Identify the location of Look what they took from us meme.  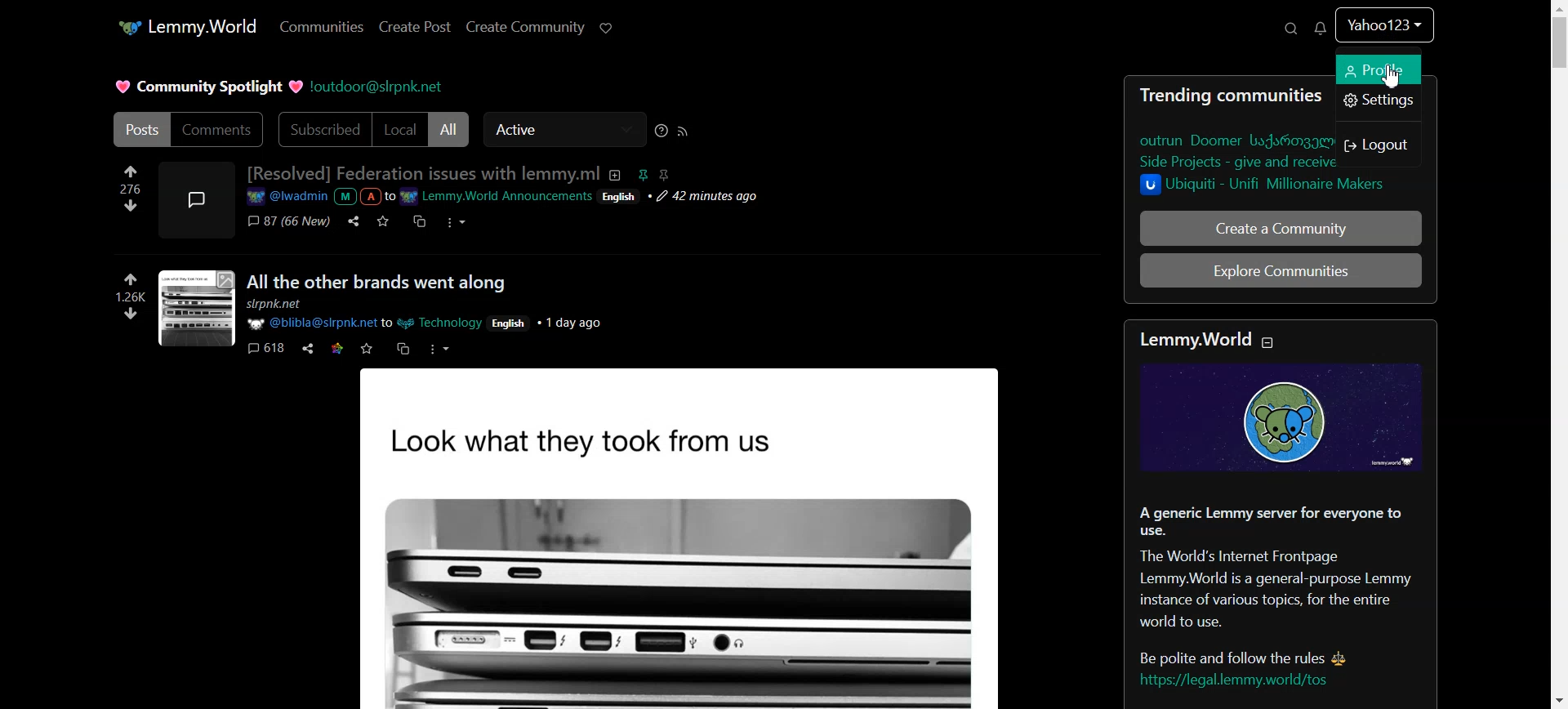
(685, 537).